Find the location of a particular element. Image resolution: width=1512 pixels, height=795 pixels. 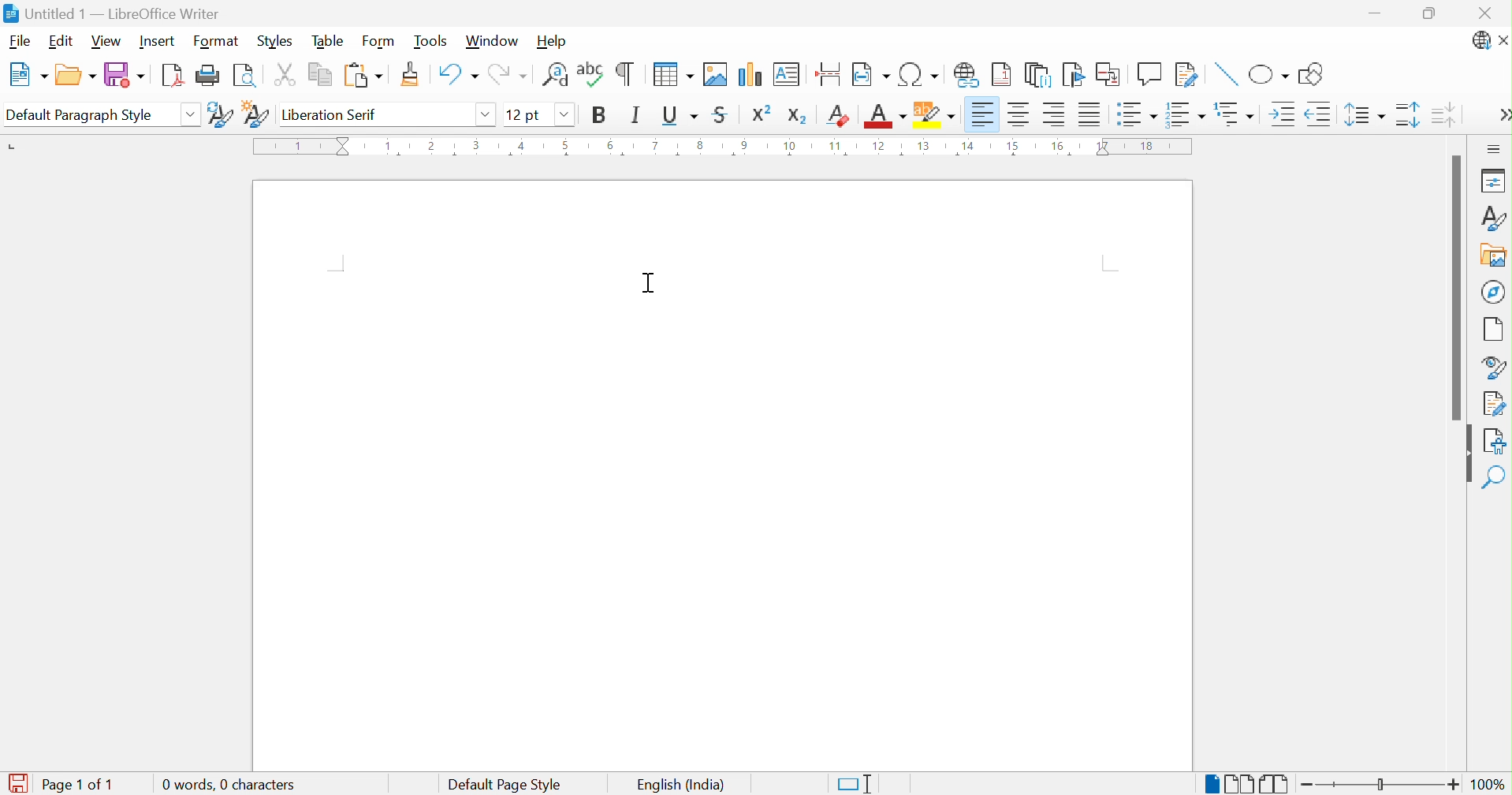

Subscript is located at coordinates (799, 118).